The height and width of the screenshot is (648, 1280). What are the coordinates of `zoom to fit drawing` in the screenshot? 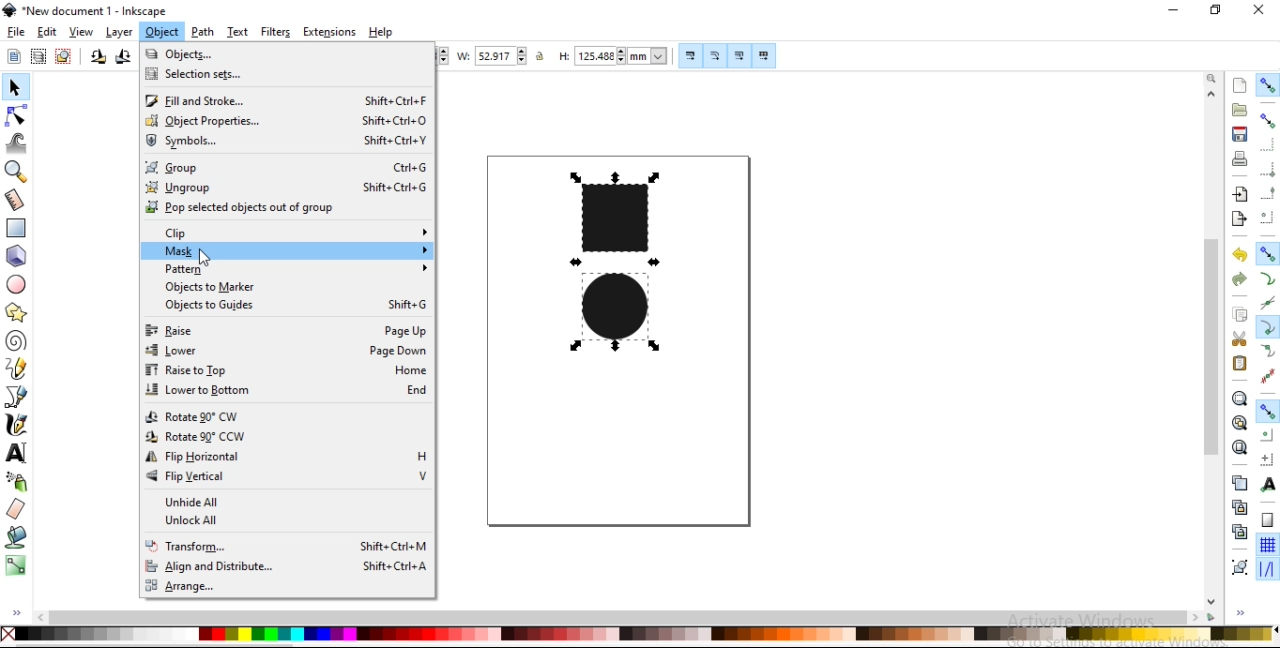 It's located at (1239, 422).